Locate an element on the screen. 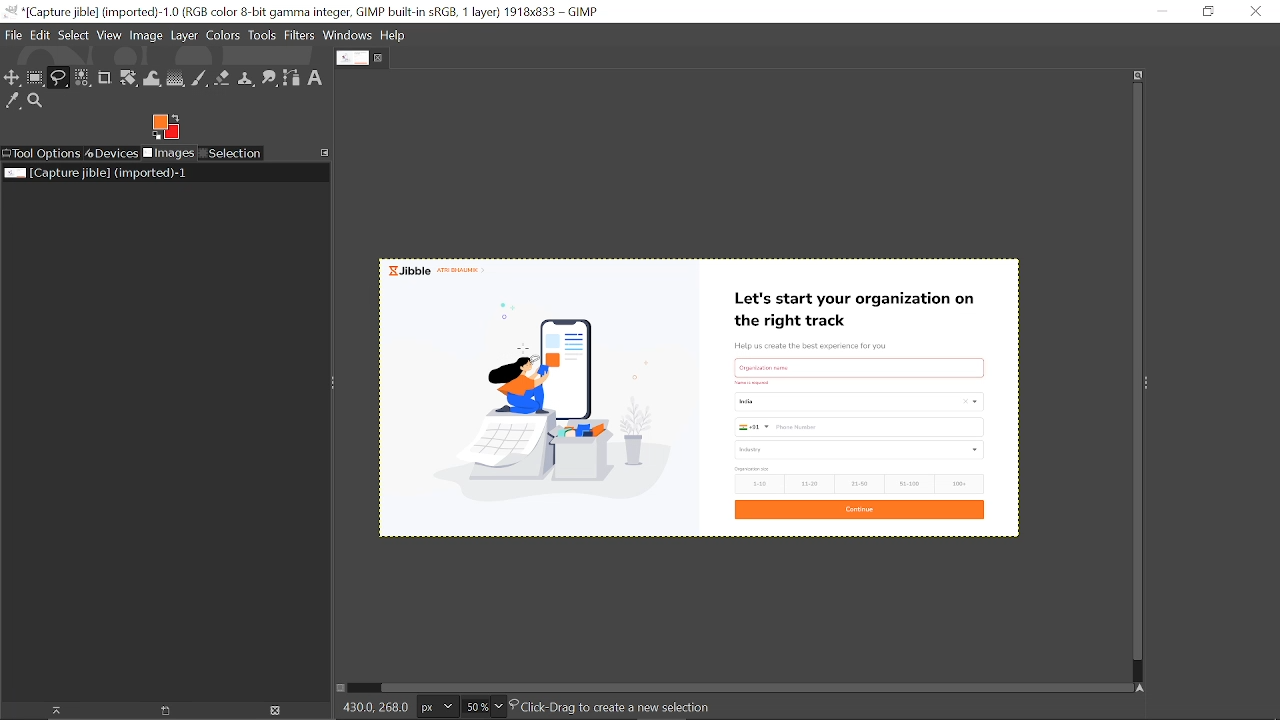 This screenshot has width=1280, height=720. Current zoom is located at coordinates (474, 706).